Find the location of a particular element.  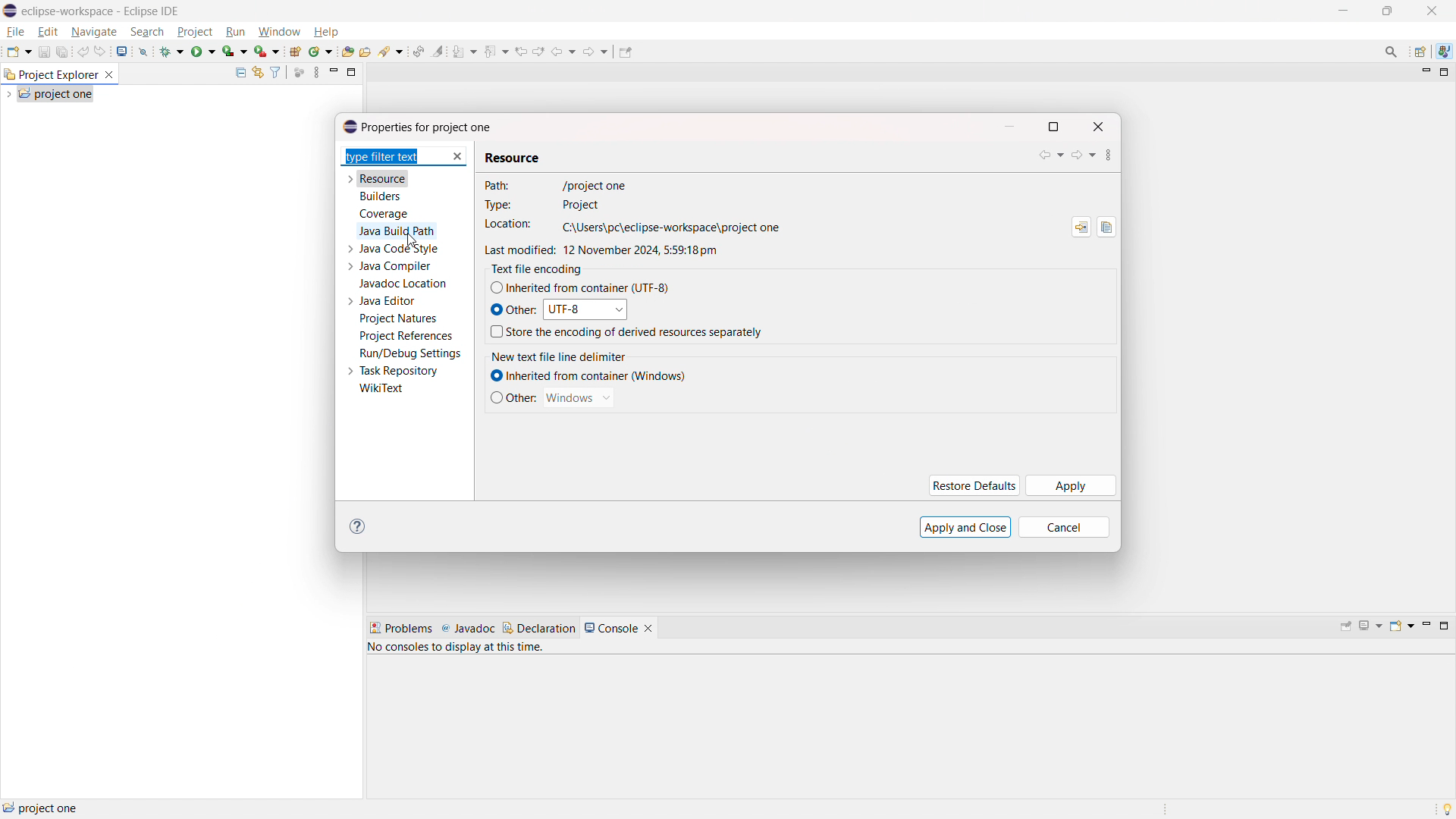

show in system explorer is located at coordinates (1081, 227).